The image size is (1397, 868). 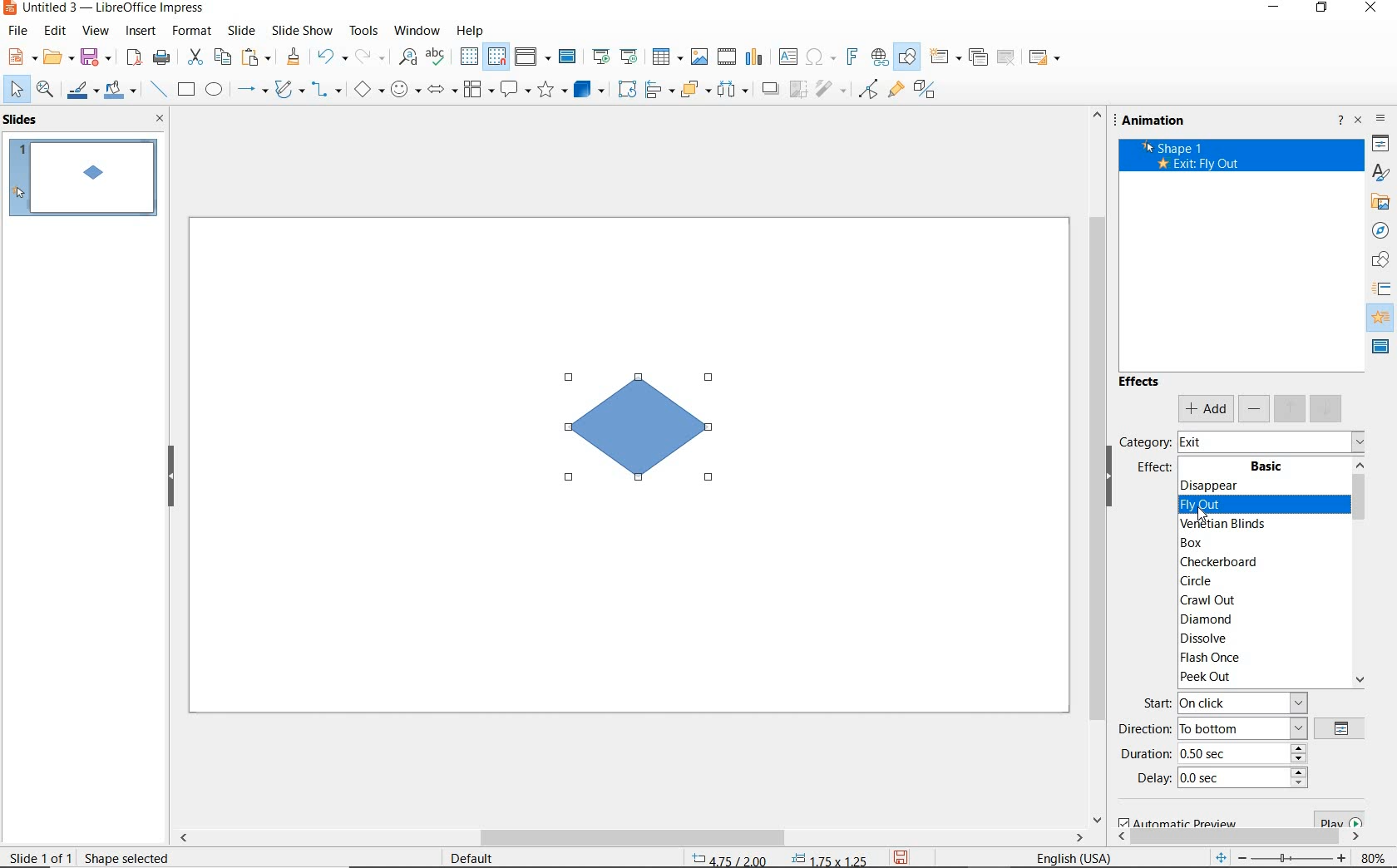 I want to click on minimize, so click(x=1276, y=8).